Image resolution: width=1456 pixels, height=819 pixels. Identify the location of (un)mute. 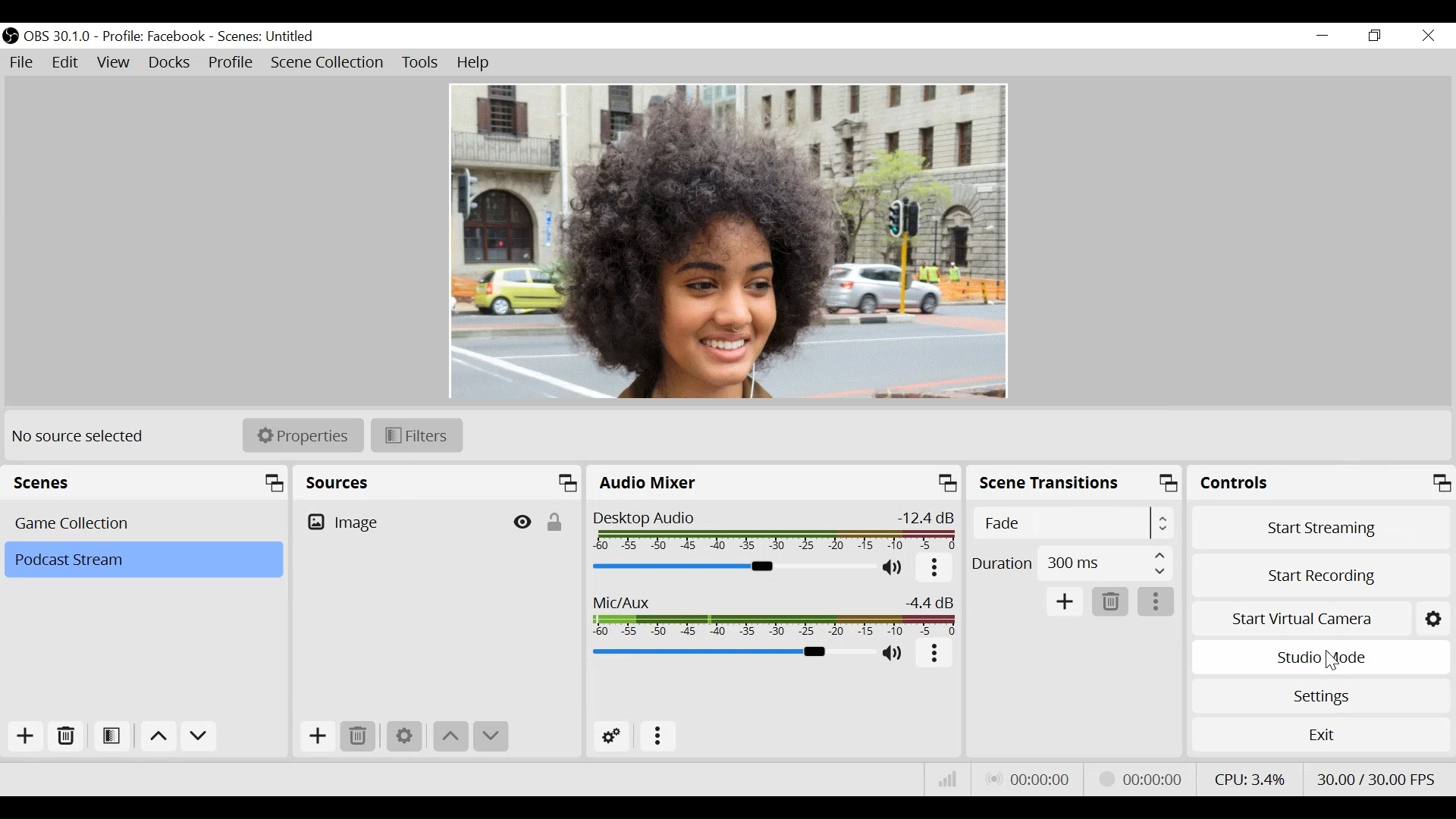
(894, 569).